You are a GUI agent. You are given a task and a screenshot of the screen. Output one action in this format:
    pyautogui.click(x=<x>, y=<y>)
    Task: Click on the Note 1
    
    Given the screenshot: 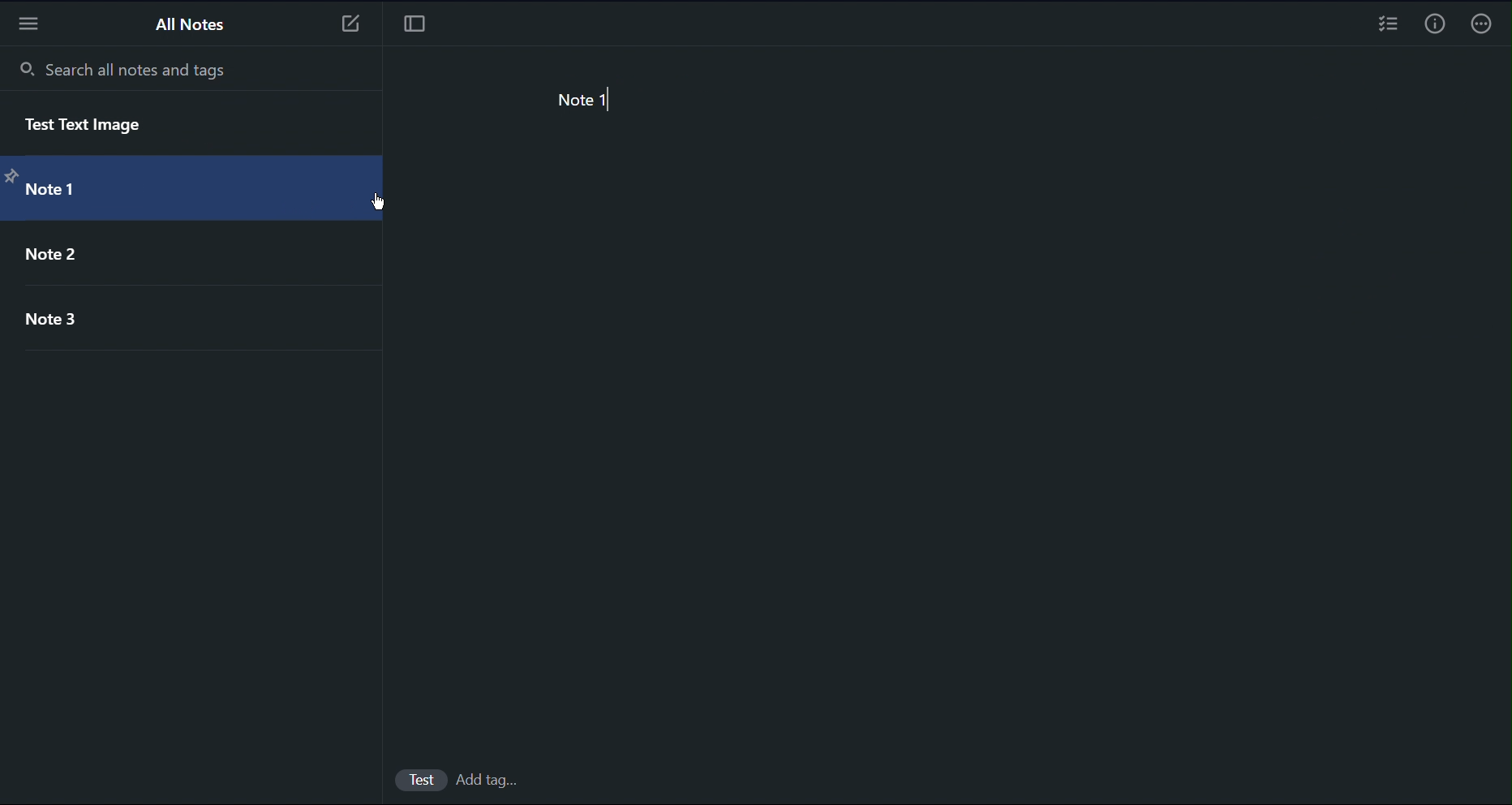 What is the action you would take?
    pyautogui.click(x=63, y=192)
    